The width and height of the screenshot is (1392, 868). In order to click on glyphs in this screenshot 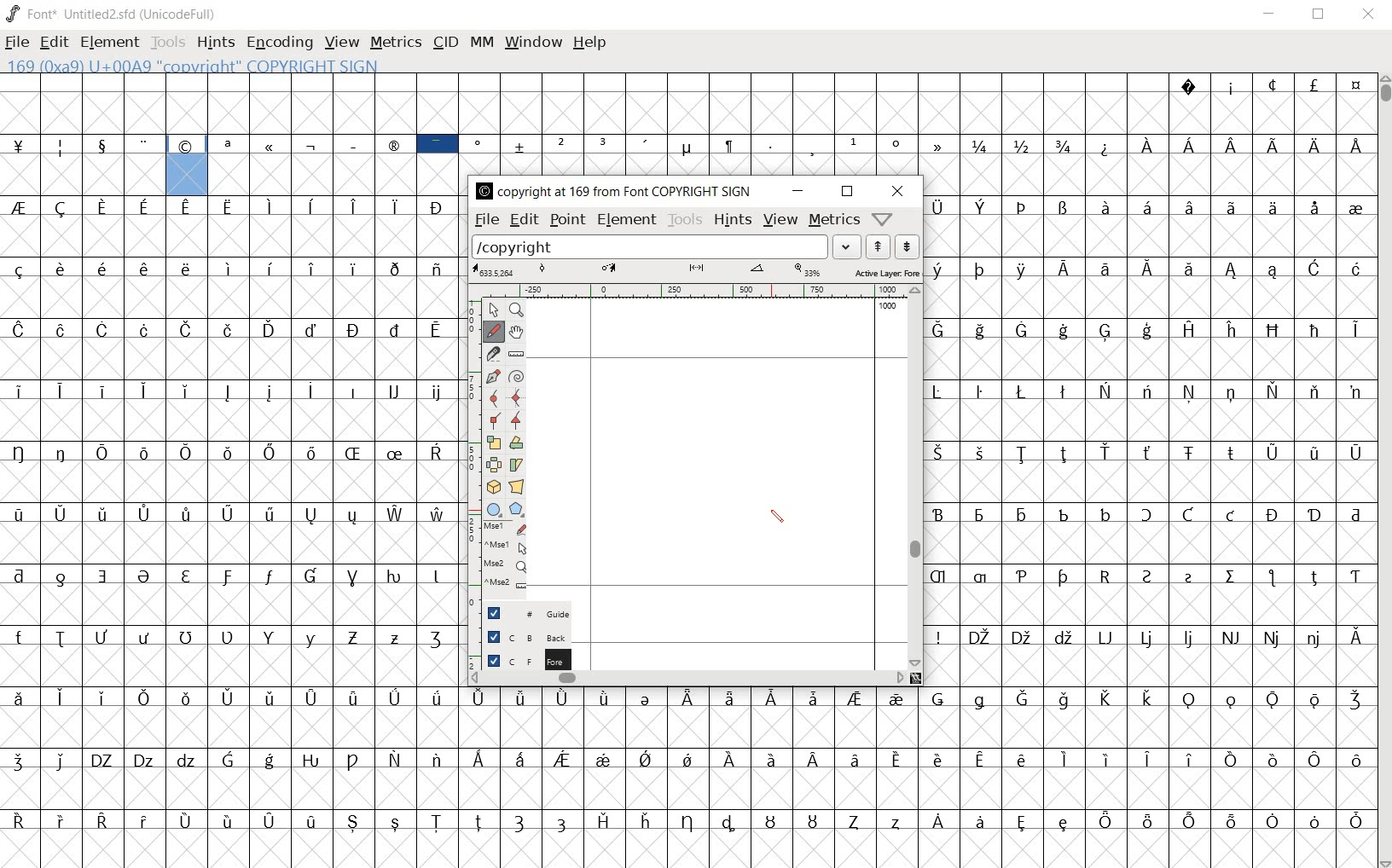, I will do `click(232, 533)`.